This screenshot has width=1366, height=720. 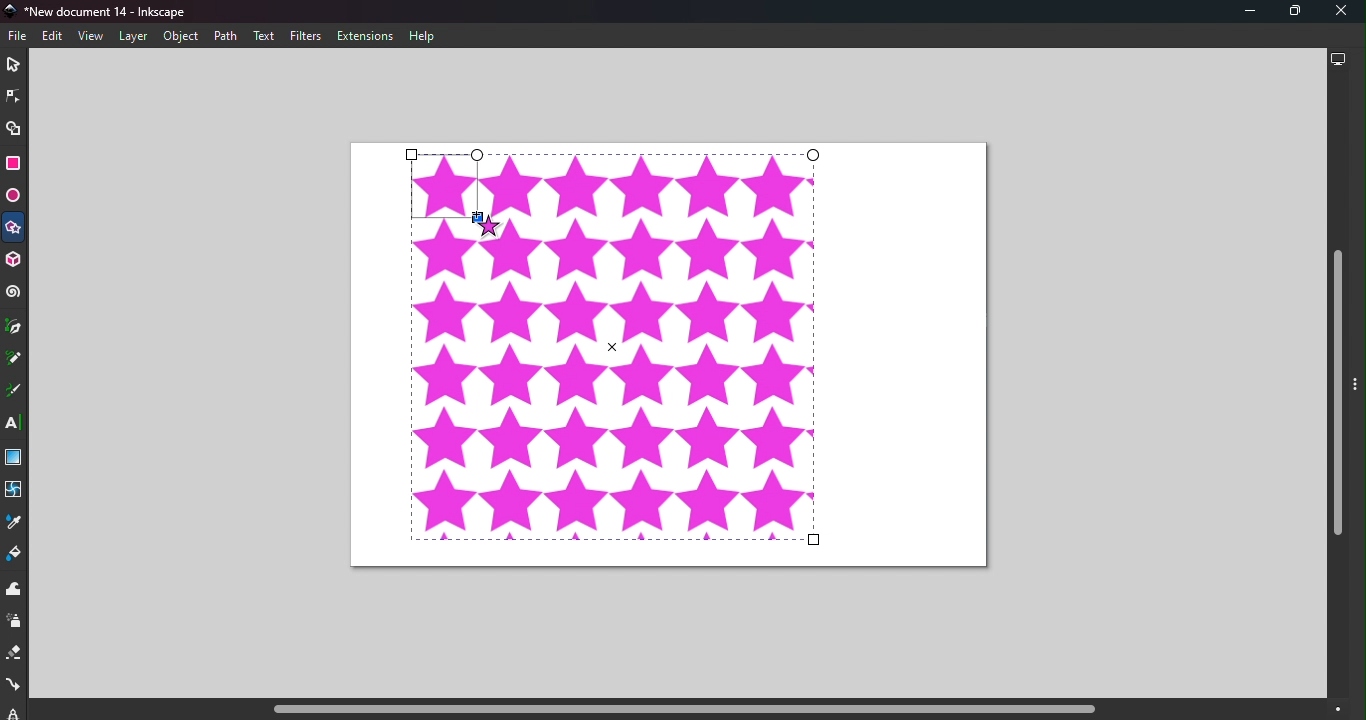 What do you see at coordinates (12, 96) in the screenshot?
I see `Node tool` at bounding box center [12, 96].